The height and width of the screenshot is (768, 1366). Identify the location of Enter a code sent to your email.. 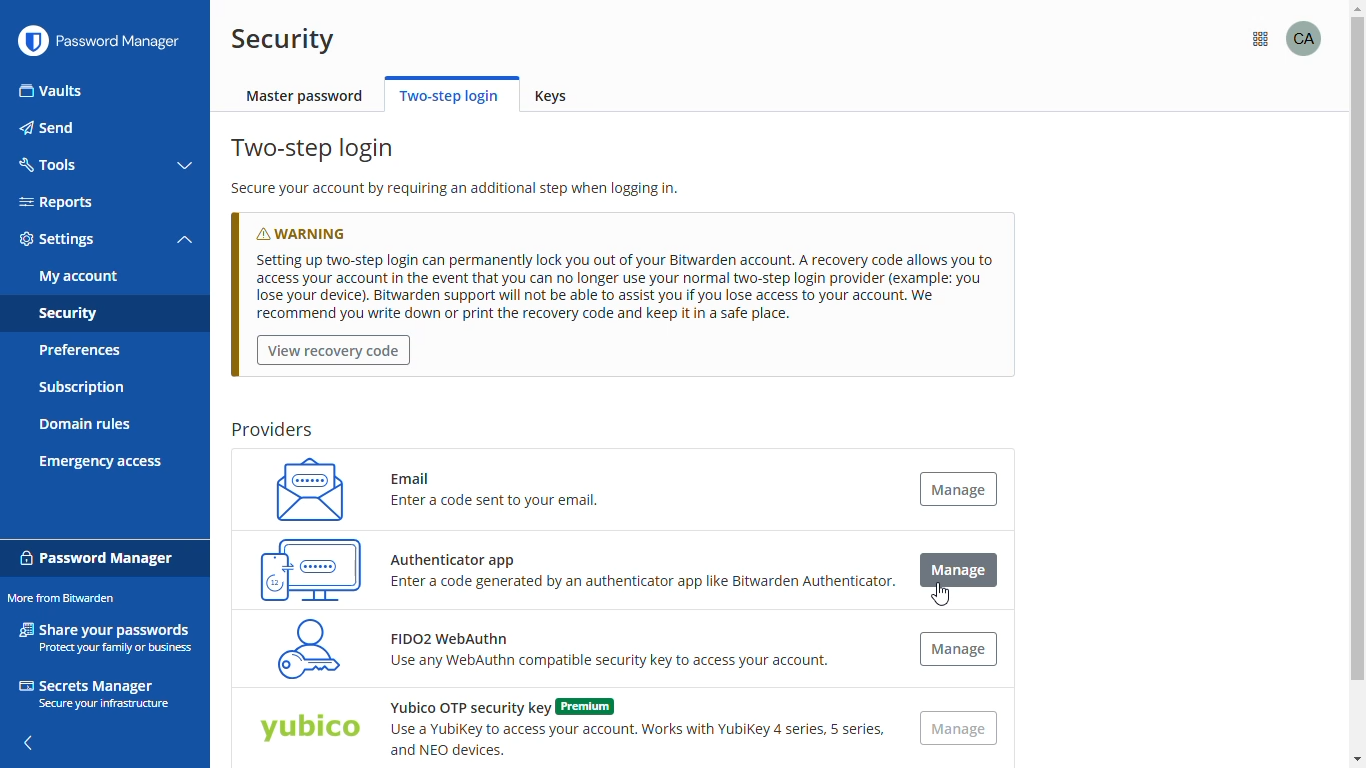
(496, 504).